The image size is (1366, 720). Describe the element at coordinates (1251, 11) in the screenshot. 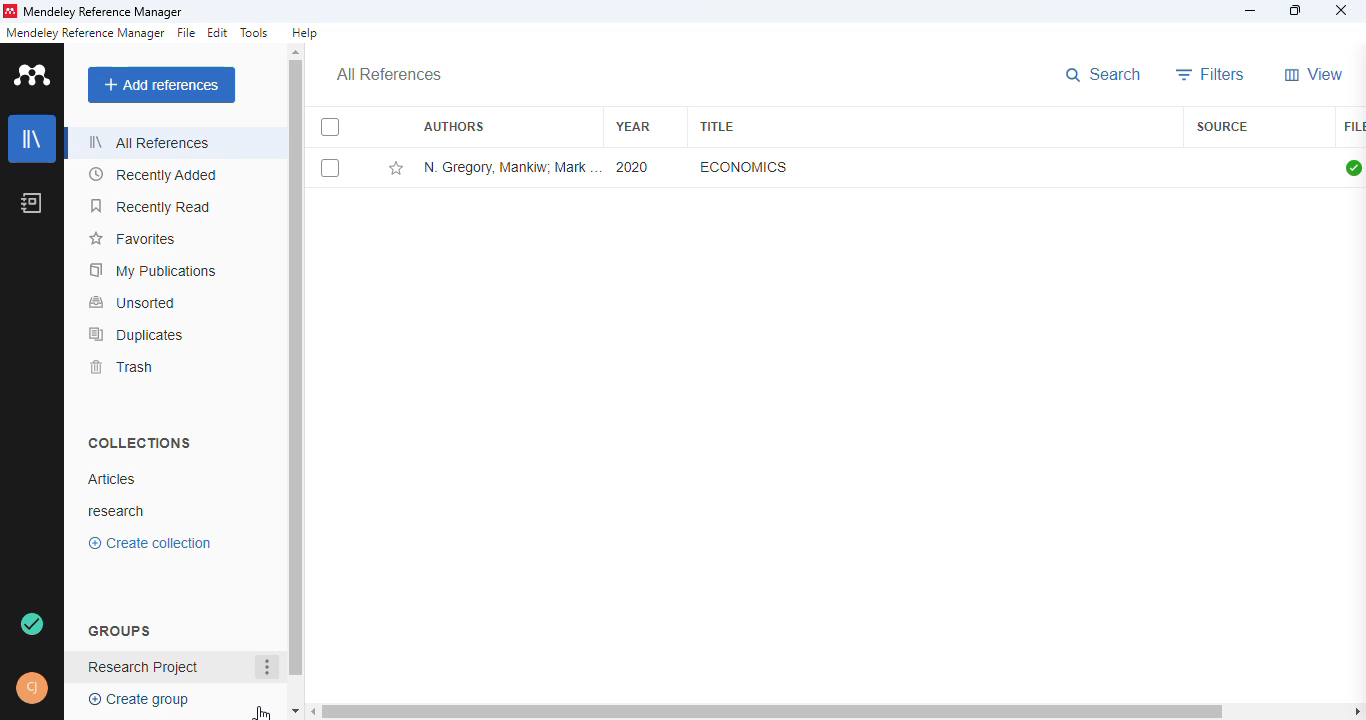

I see `minimize` at that location.